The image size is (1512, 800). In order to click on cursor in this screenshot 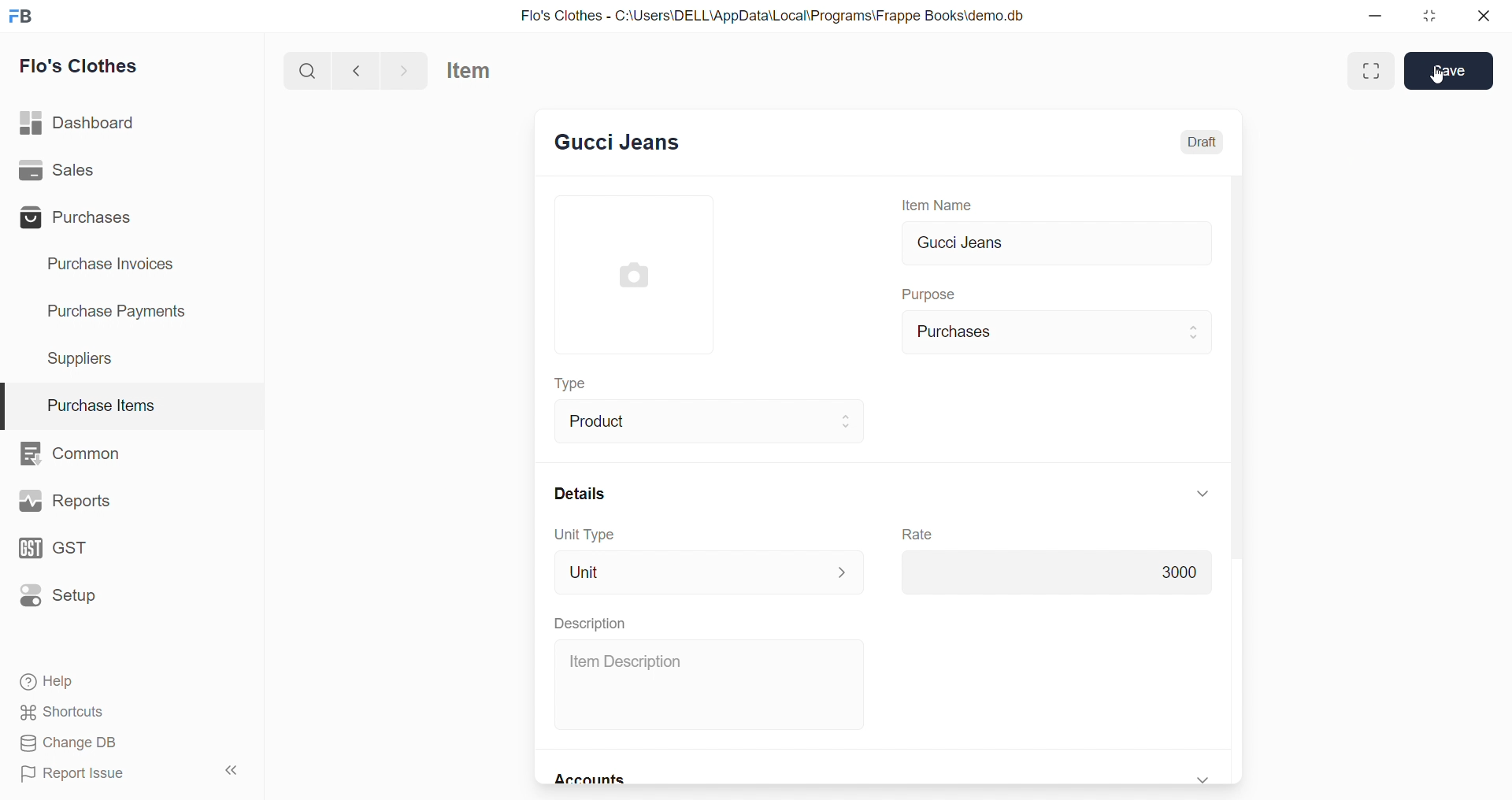, I will do `click(1435, 82)`.